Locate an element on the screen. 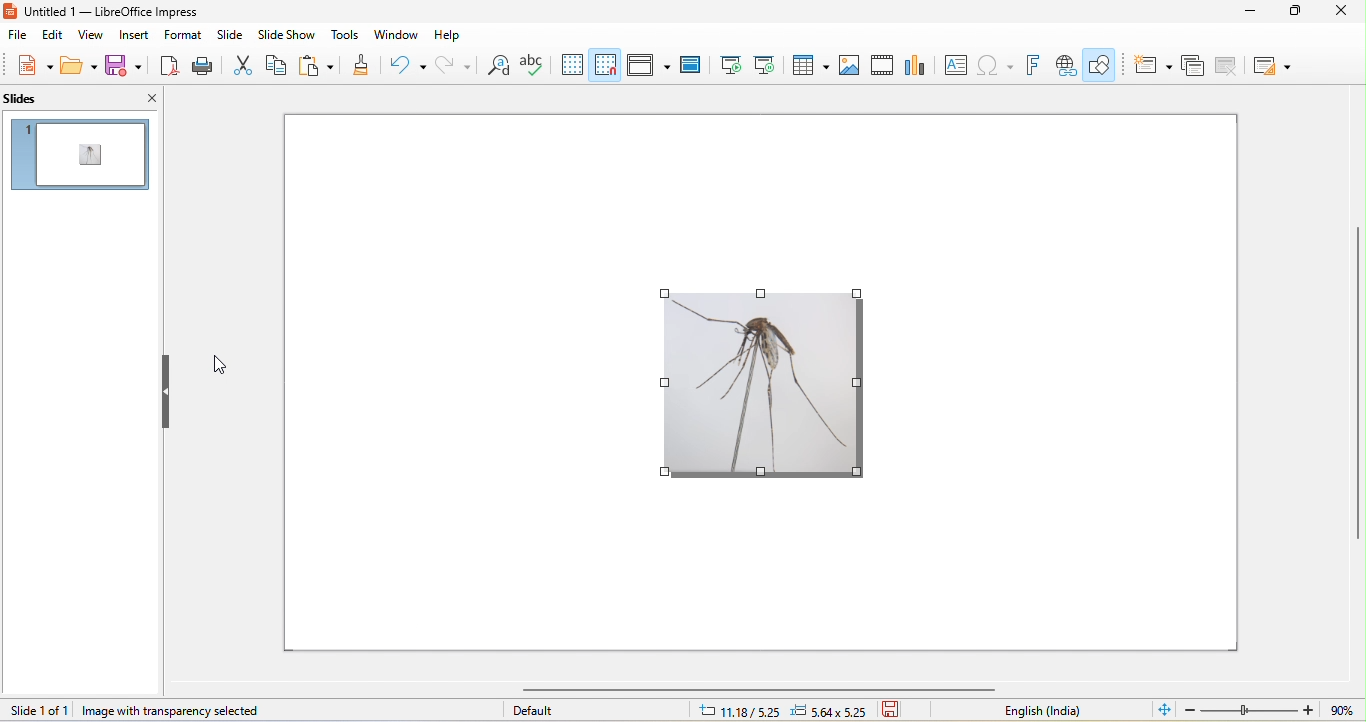  slideshow is located at coordinates (285, 35).